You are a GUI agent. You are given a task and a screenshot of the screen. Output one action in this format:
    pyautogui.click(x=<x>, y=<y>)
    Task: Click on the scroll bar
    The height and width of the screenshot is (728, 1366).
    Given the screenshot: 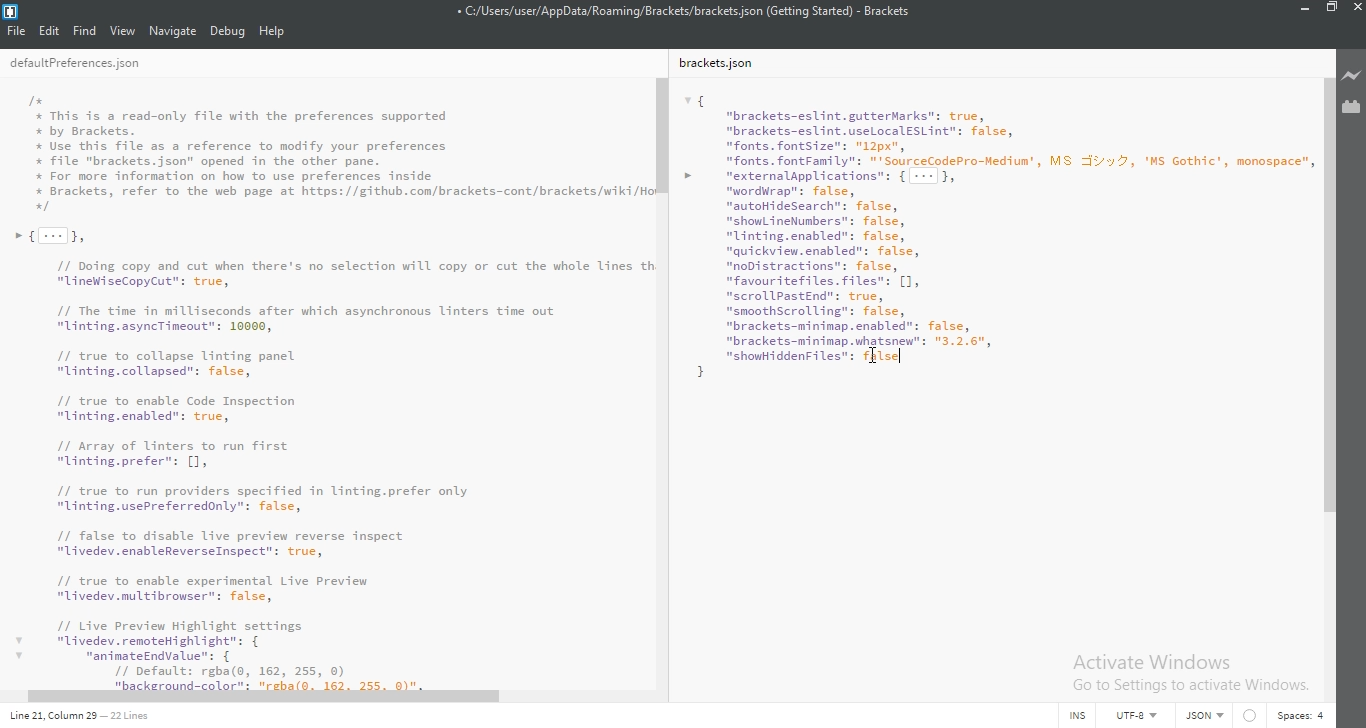 What is the action you would take?
    pyautogui.click(x=266, y=699)
    